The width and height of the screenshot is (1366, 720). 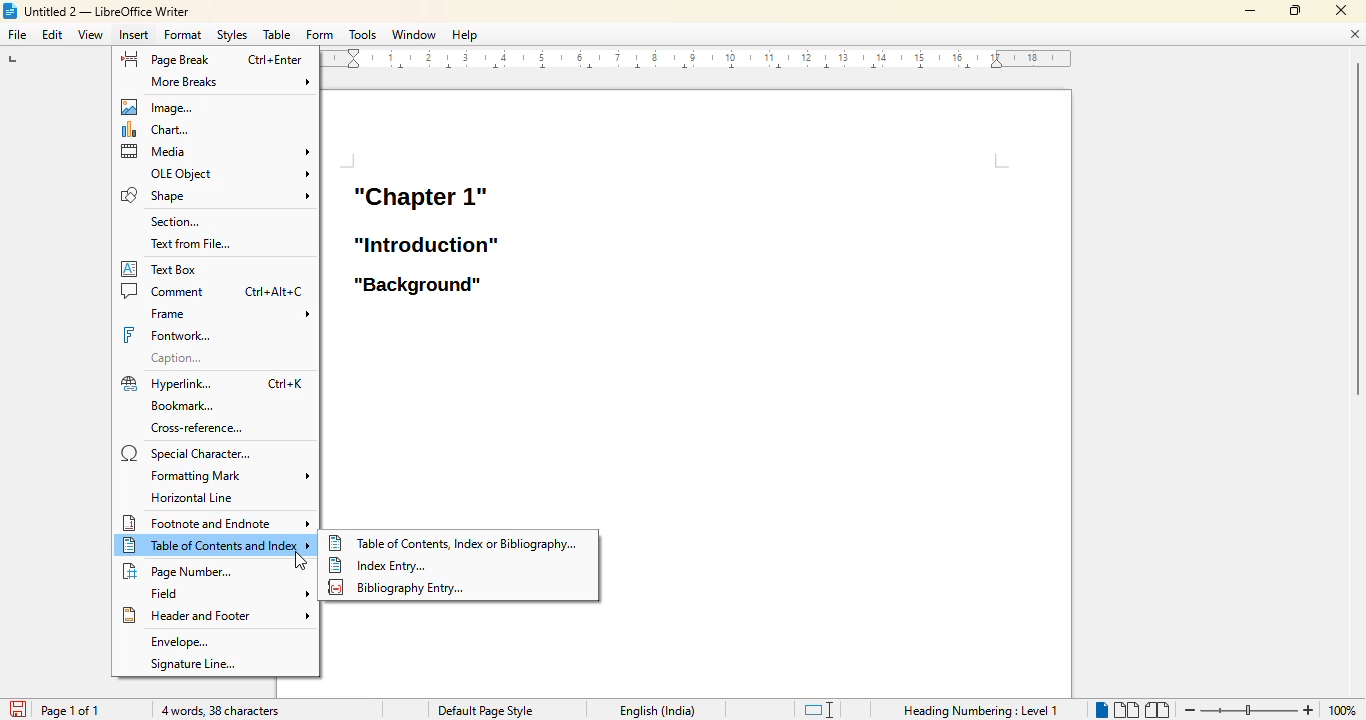 What do you see at coordinates (427, 244) in the screenshot?
I see `heading 2` at bounding box center [427, 244].